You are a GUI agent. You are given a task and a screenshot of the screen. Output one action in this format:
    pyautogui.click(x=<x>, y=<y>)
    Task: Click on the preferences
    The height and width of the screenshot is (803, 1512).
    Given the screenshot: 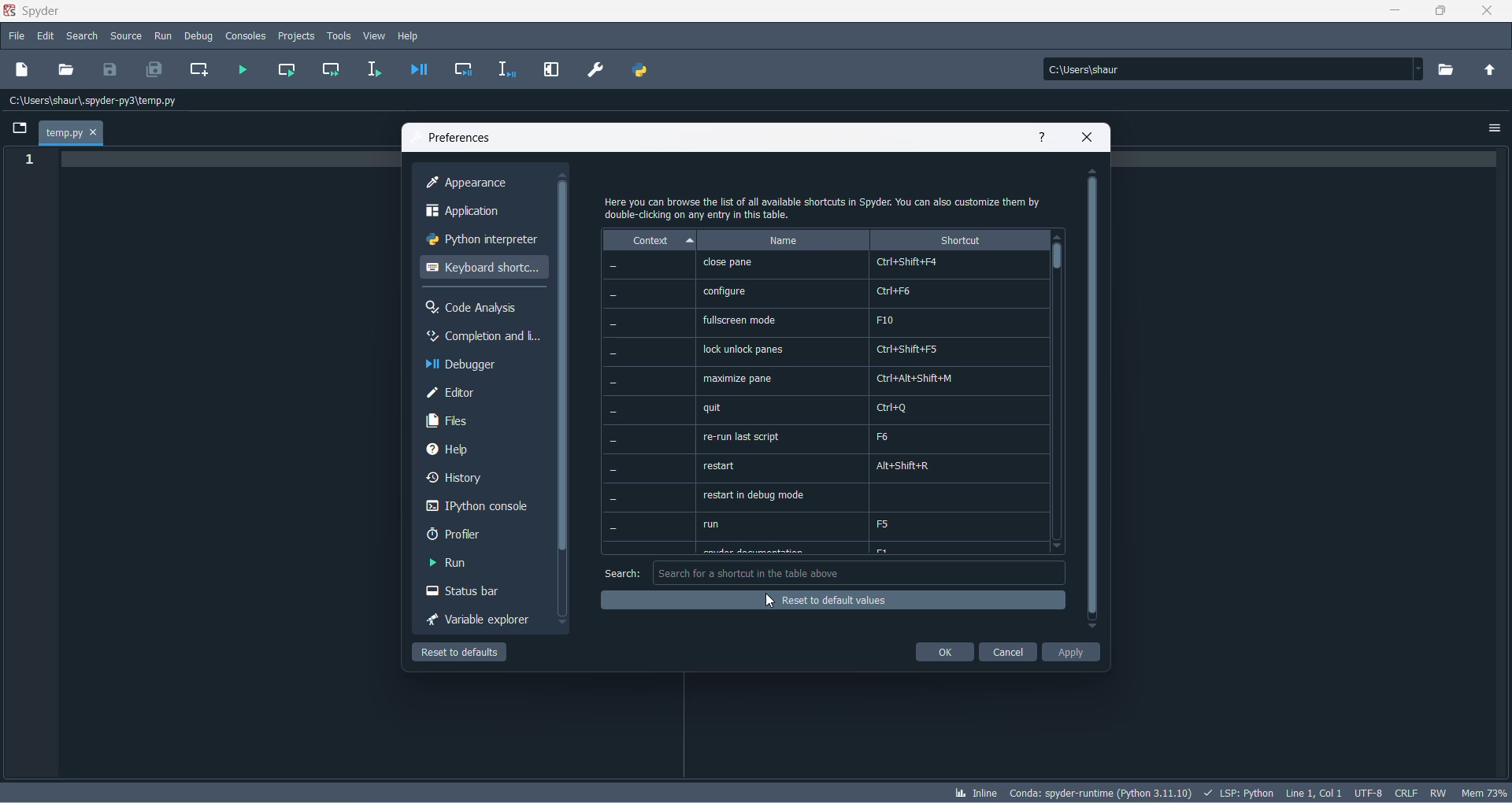 What is the action you would take?
    pyautogui.click(x=597, y=69)
    